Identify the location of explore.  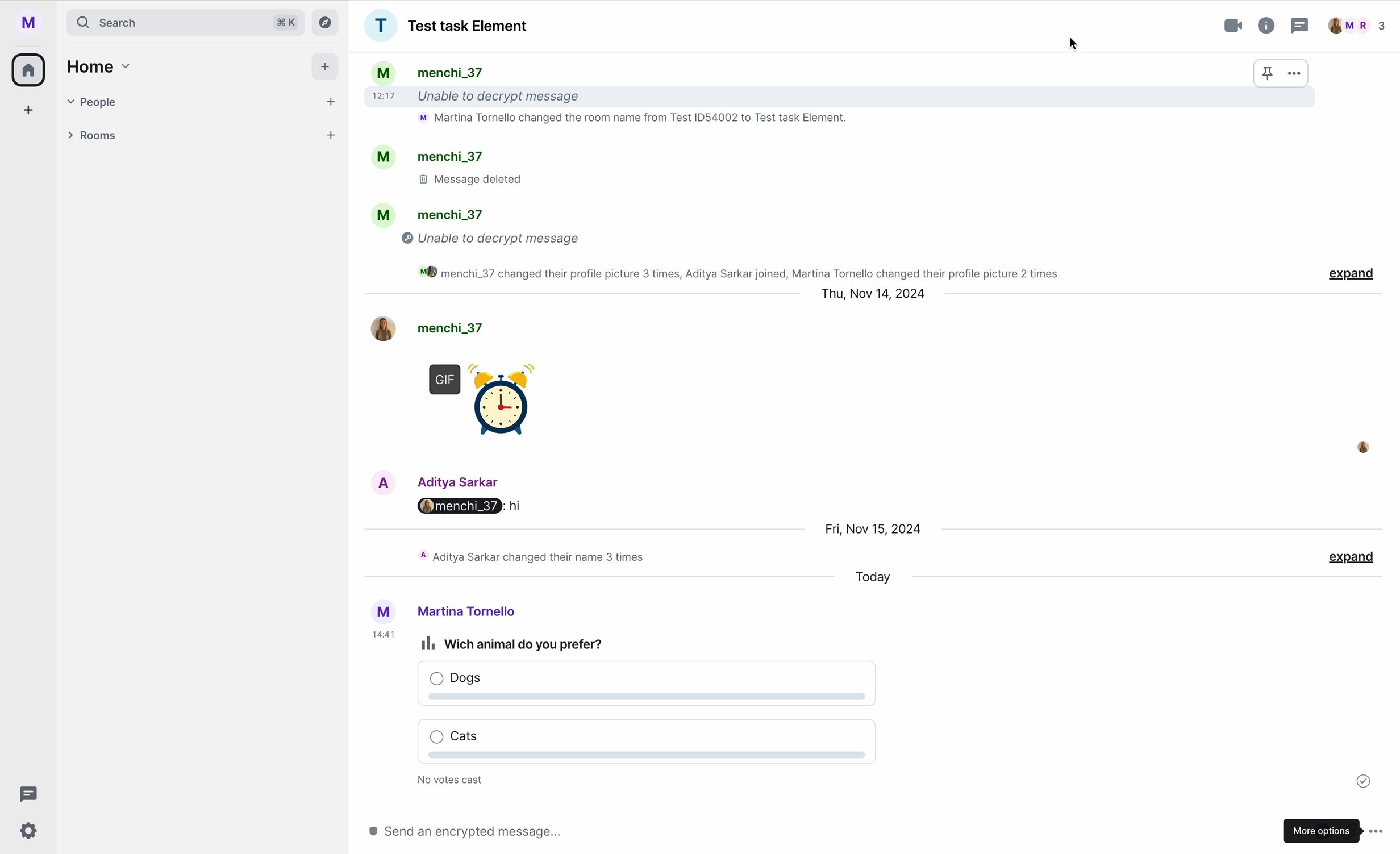
(328, 22).